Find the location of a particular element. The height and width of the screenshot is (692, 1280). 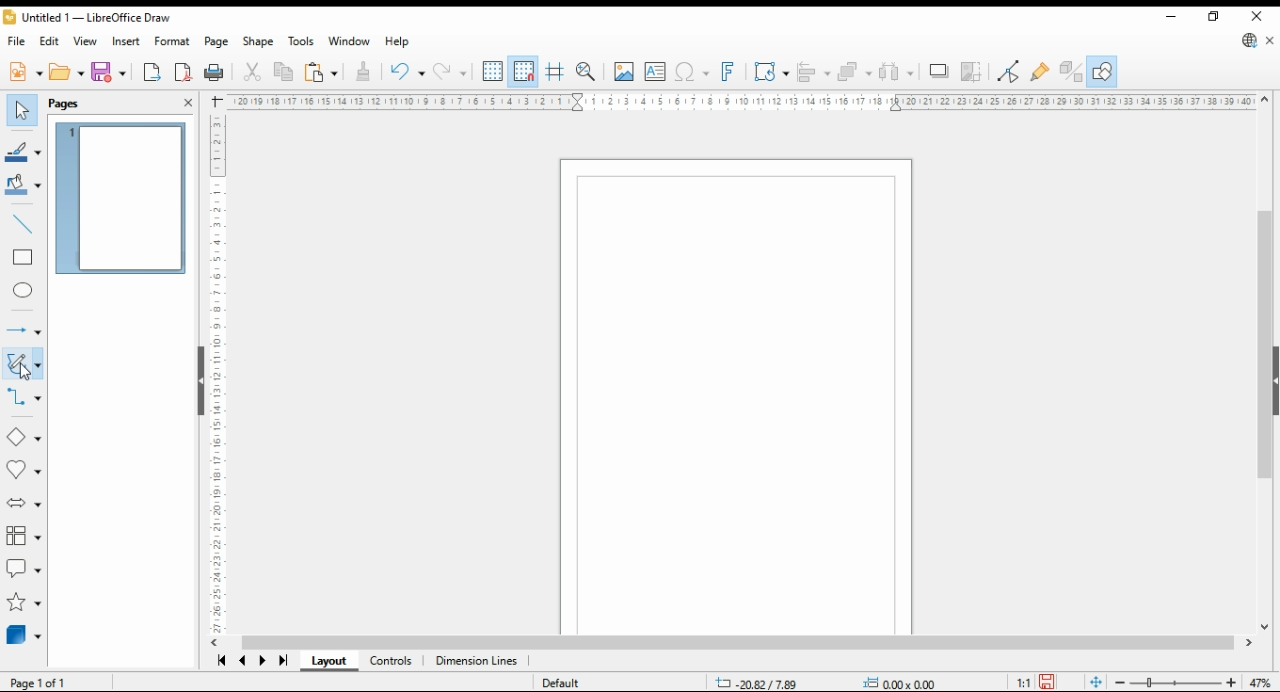

minimize is located at coordinates (1170, 14).